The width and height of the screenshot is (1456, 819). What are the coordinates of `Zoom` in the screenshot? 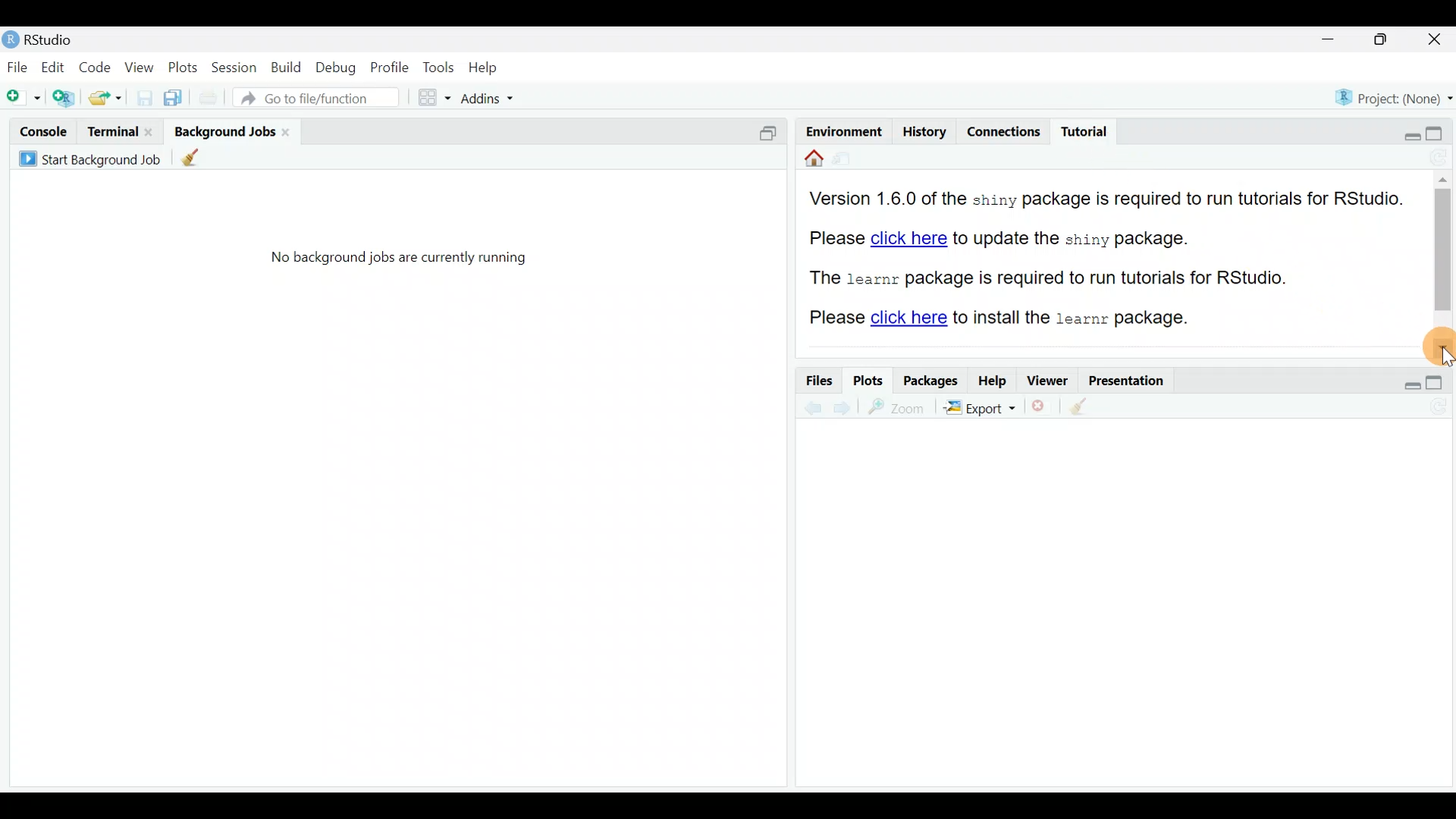 It's located at (895, 408).